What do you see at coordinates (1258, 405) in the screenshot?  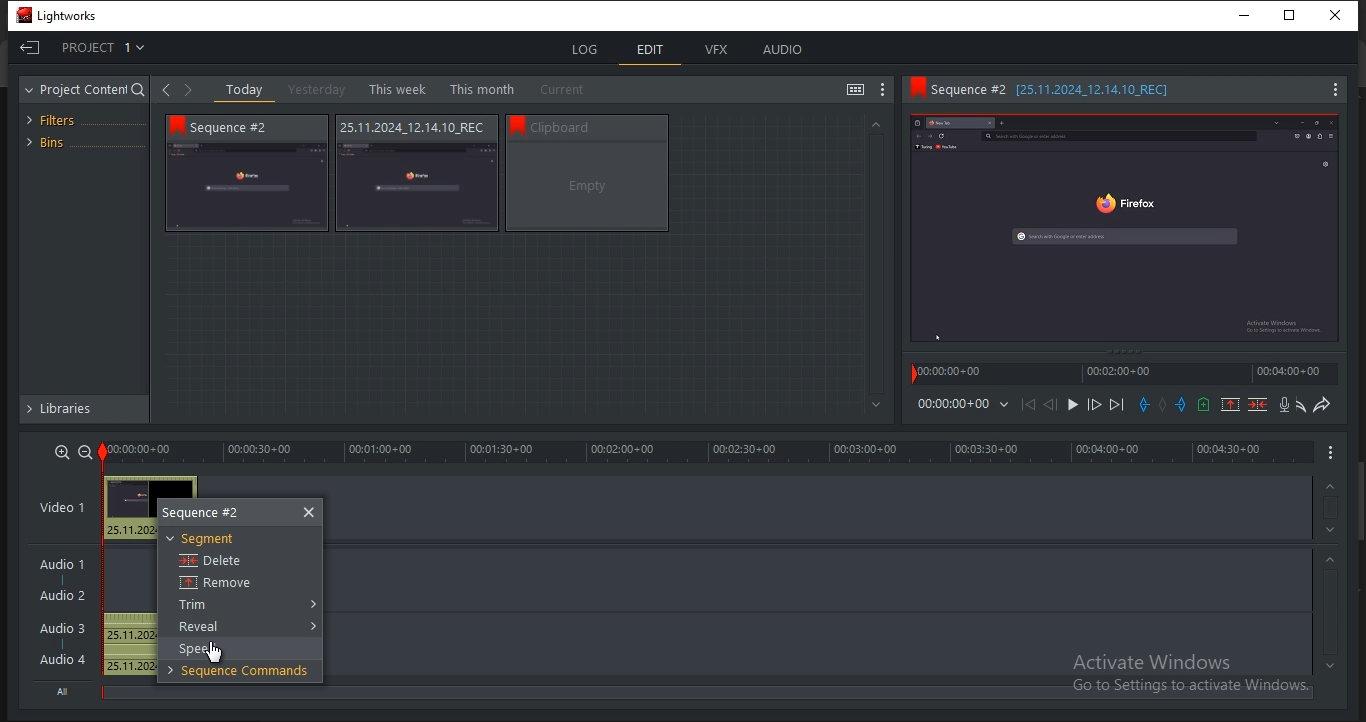 I see `delete marked section` at bounding box center [1258, 405].